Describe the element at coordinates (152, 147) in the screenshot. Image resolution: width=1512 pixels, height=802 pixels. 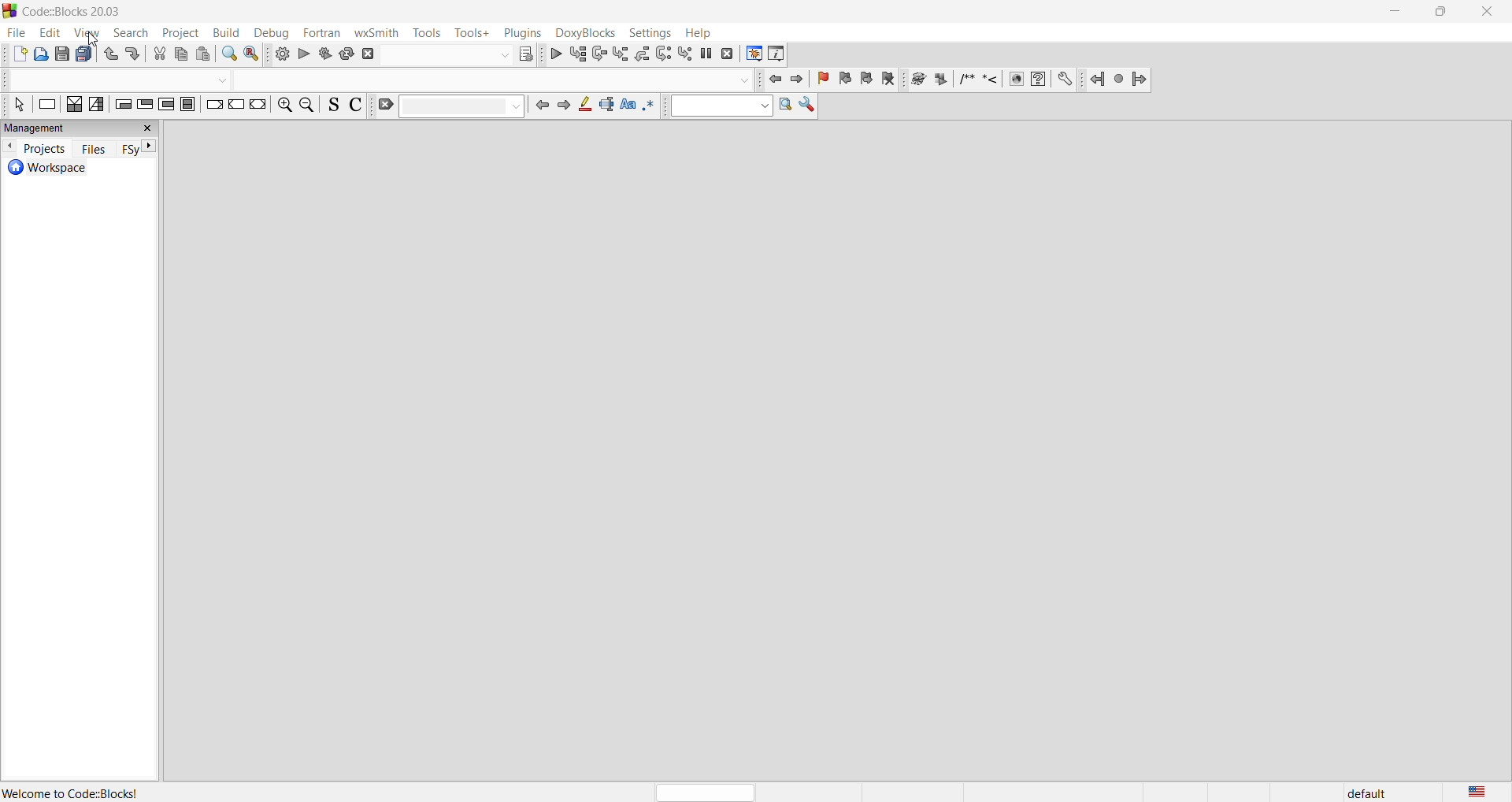
I see `next` at that location.